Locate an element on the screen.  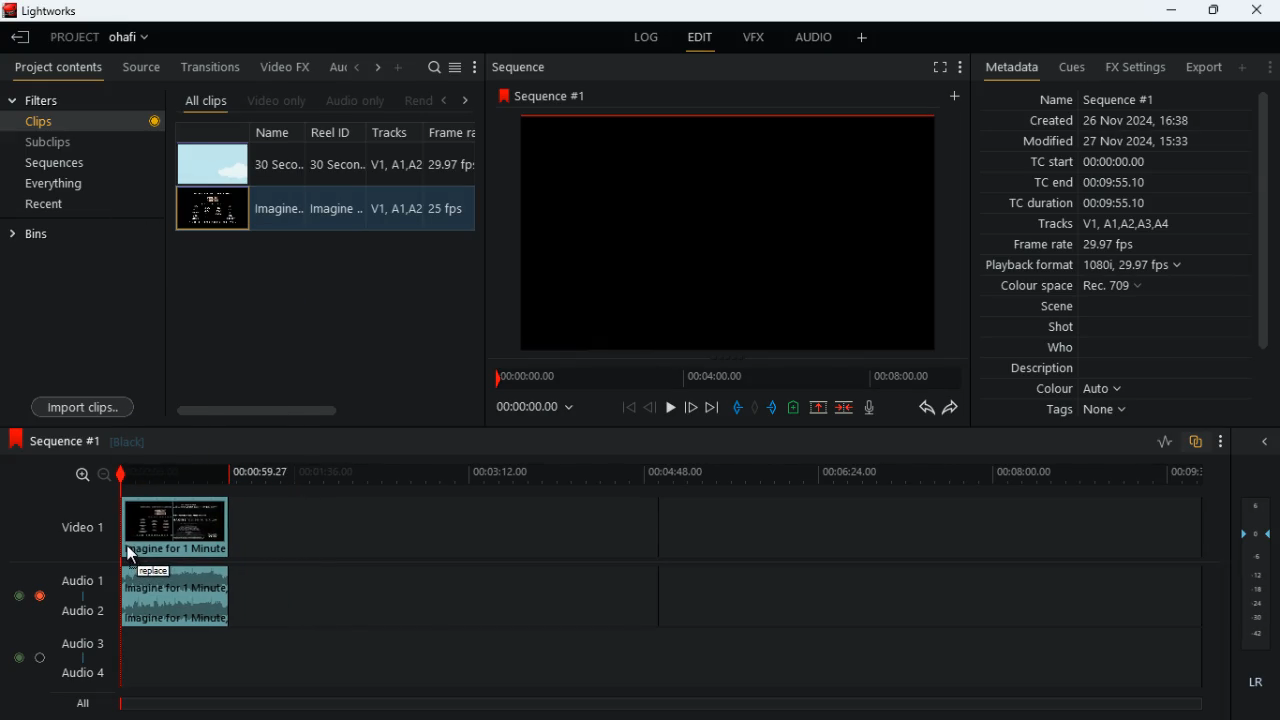
project is located at coordinates (106, 37).